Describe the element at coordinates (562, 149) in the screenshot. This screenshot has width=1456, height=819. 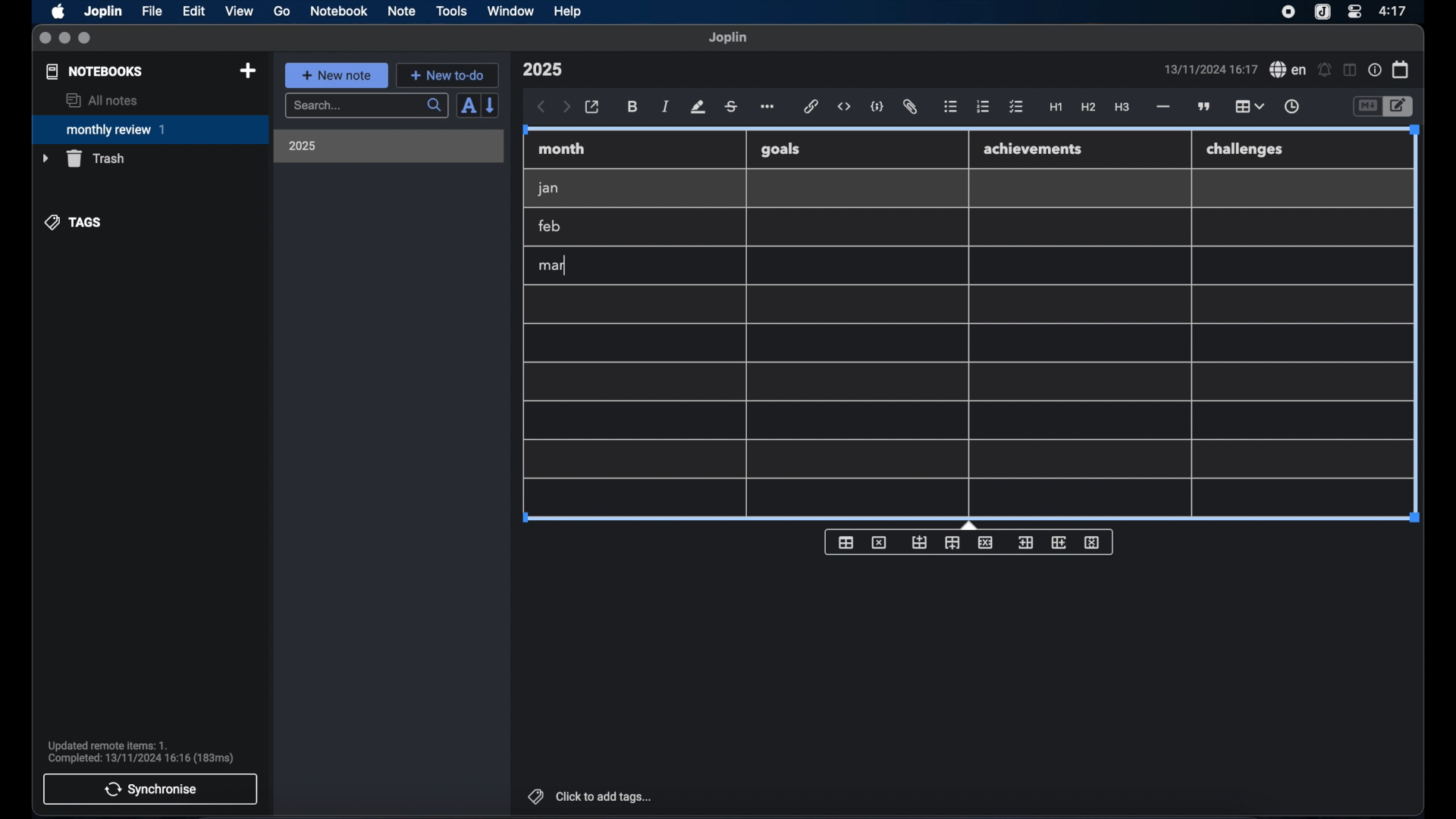
I see `month` at that location.